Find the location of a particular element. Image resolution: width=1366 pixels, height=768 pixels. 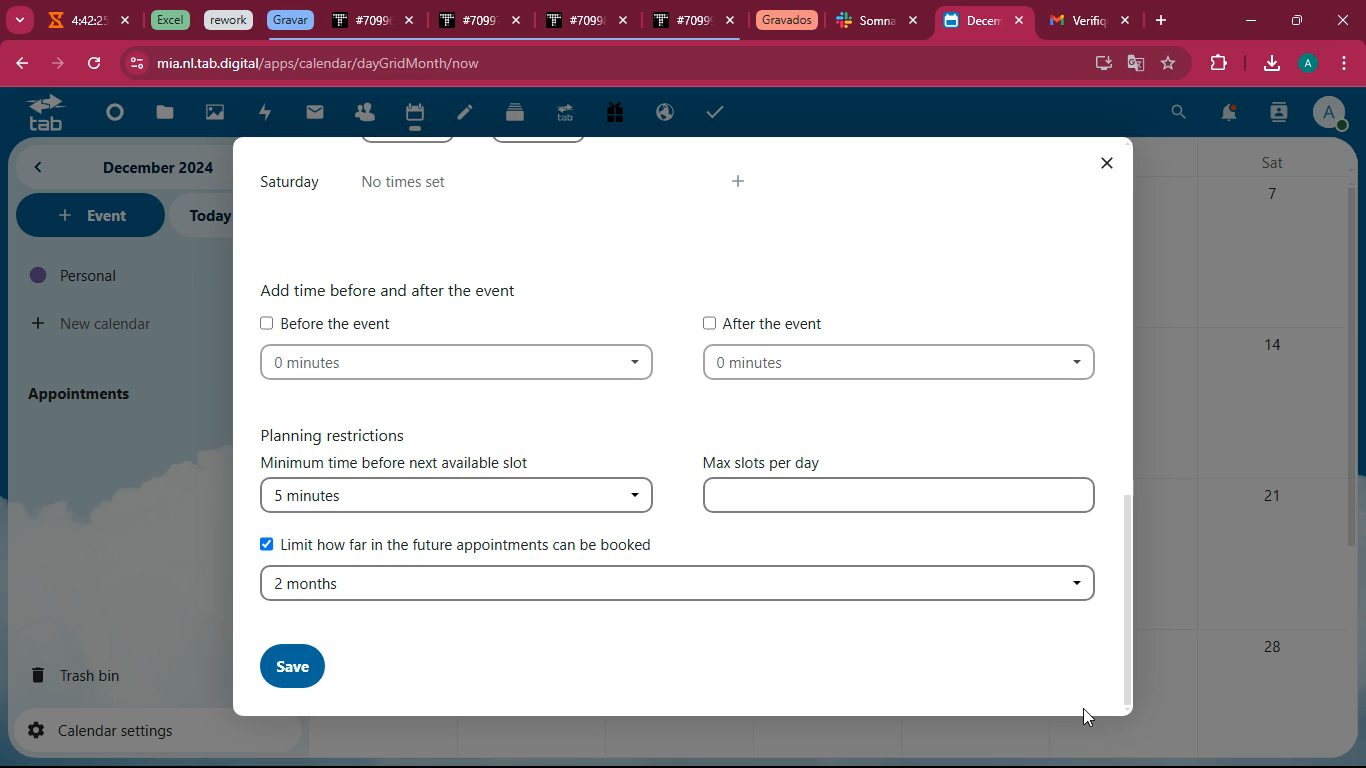

time is located at coordinates (458, 365).